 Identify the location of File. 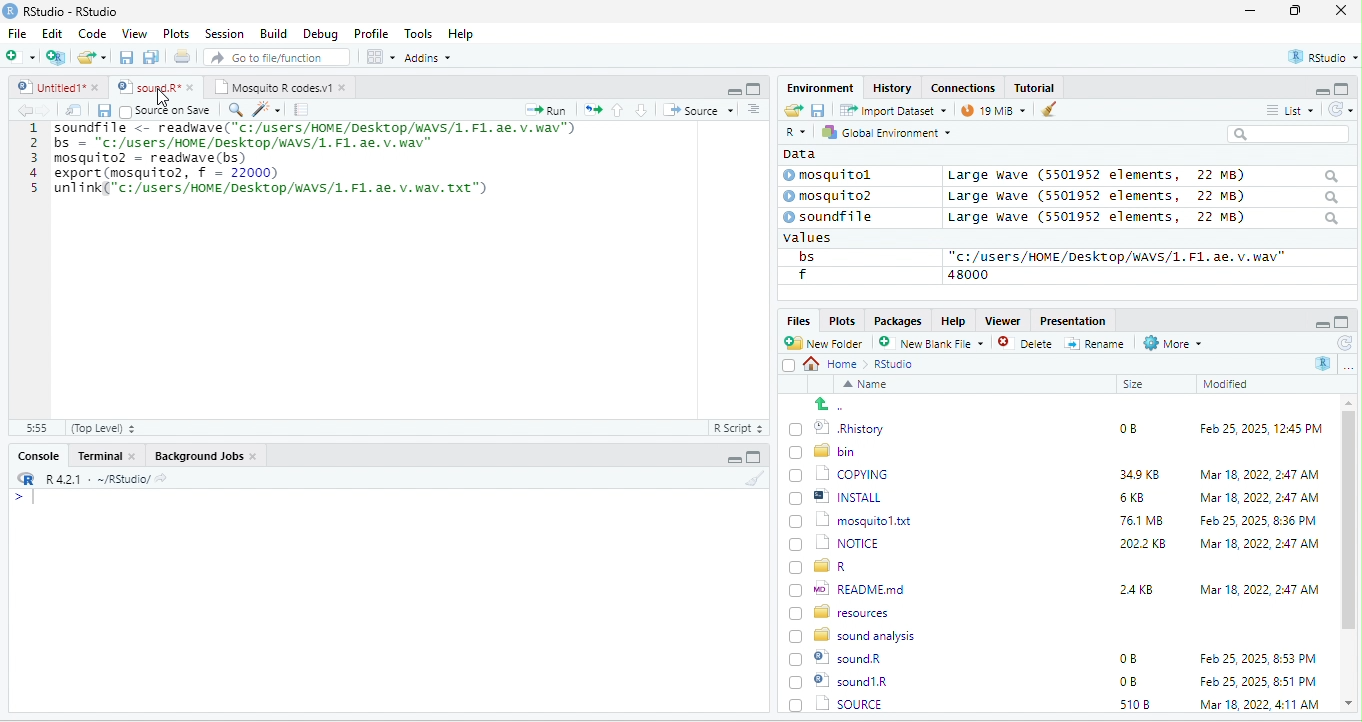
(17, 33).